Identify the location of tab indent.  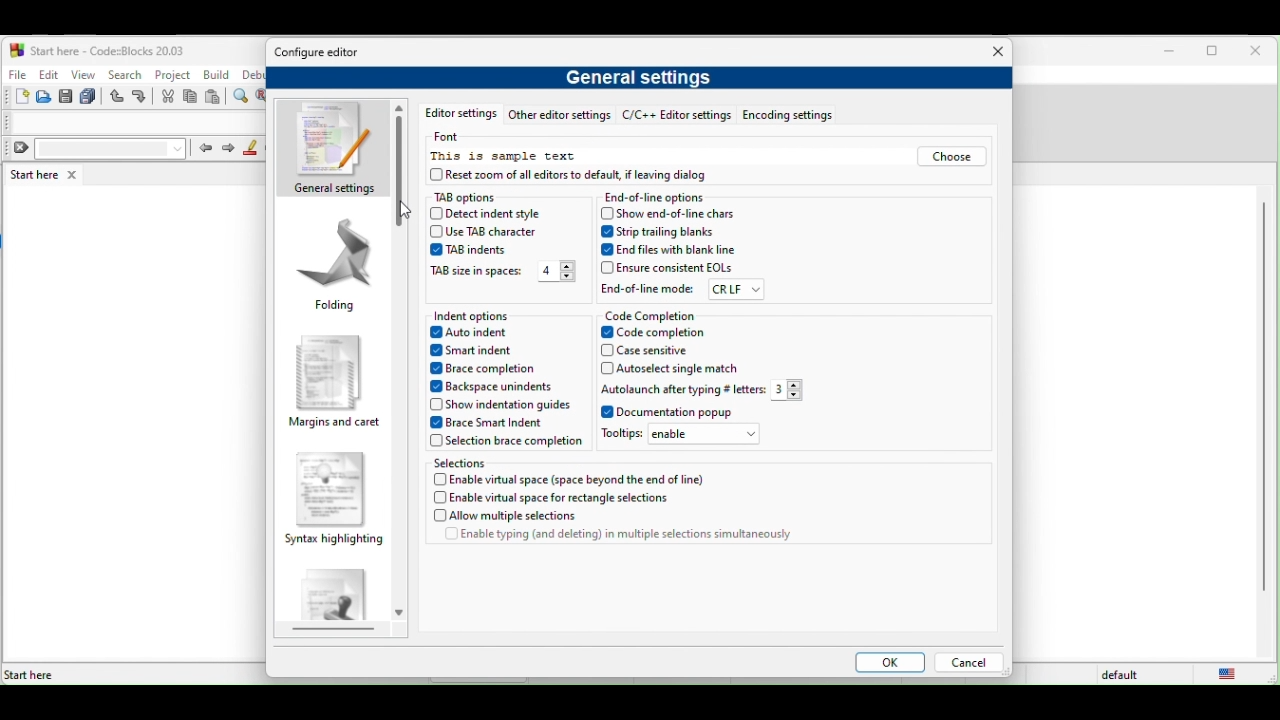
(467, 250).